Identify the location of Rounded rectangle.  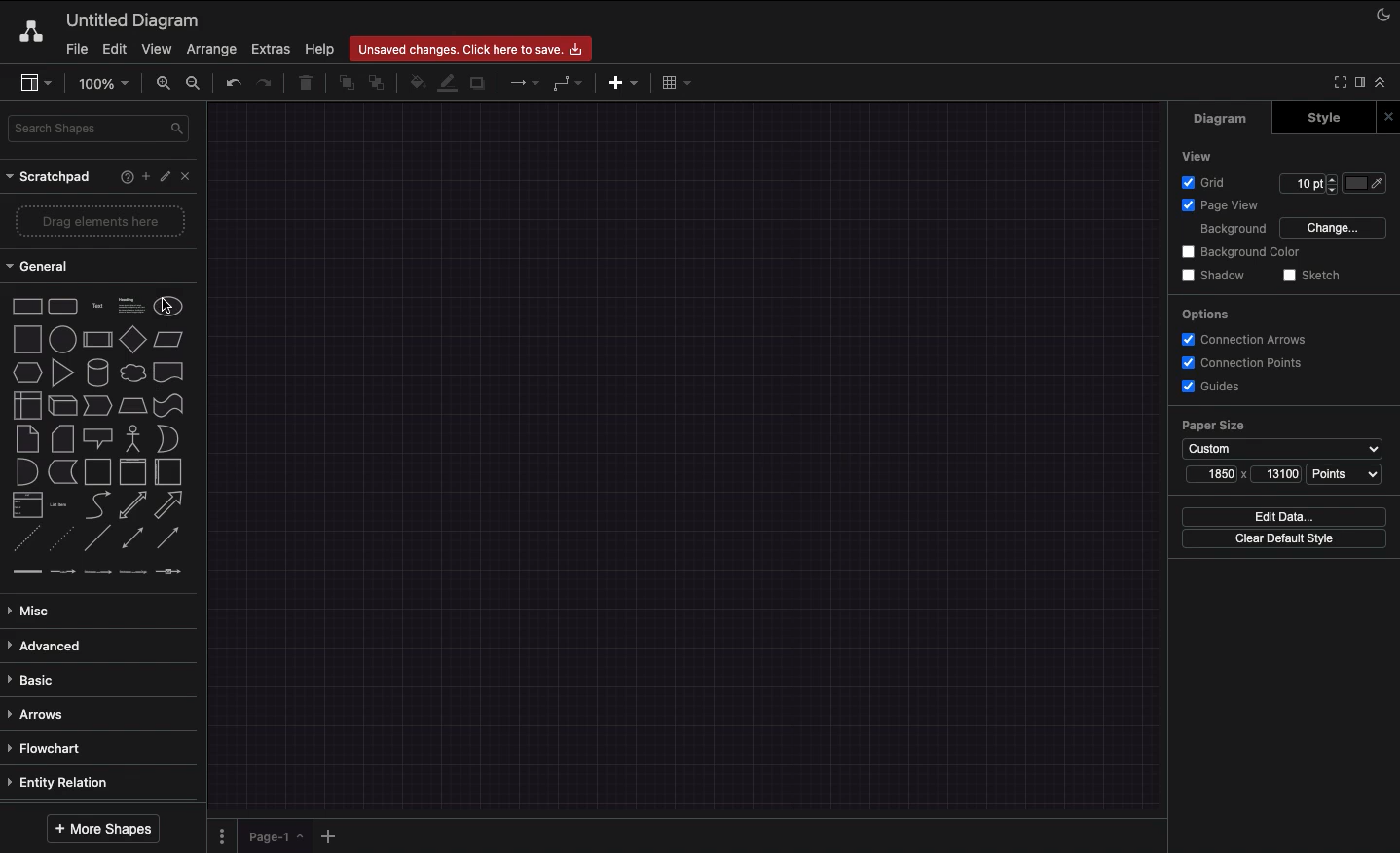
(63, 305).